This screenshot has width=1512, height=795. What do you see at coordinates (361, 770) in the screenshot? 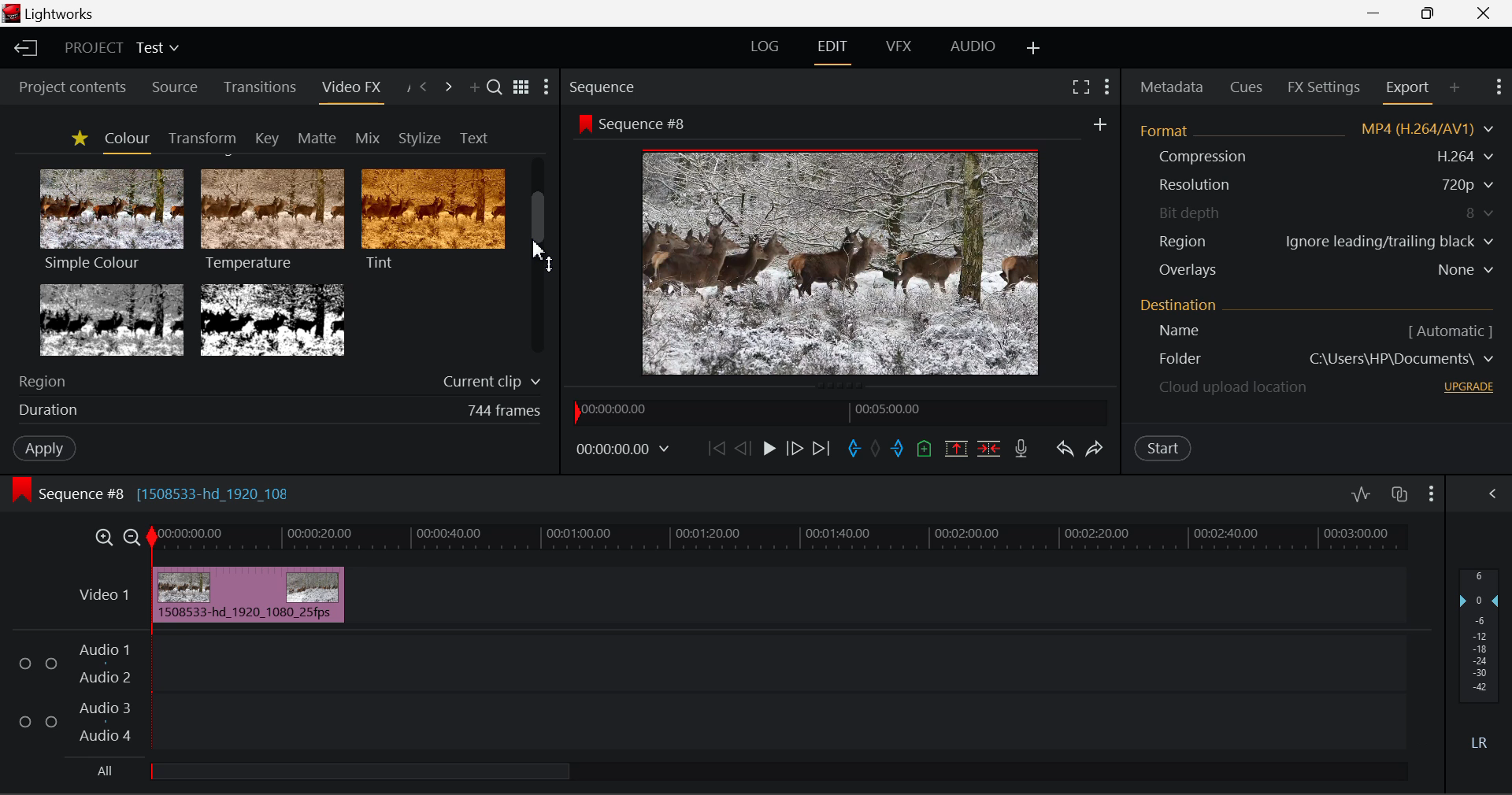
I see `all Audio` at bounding box center [361, 770].